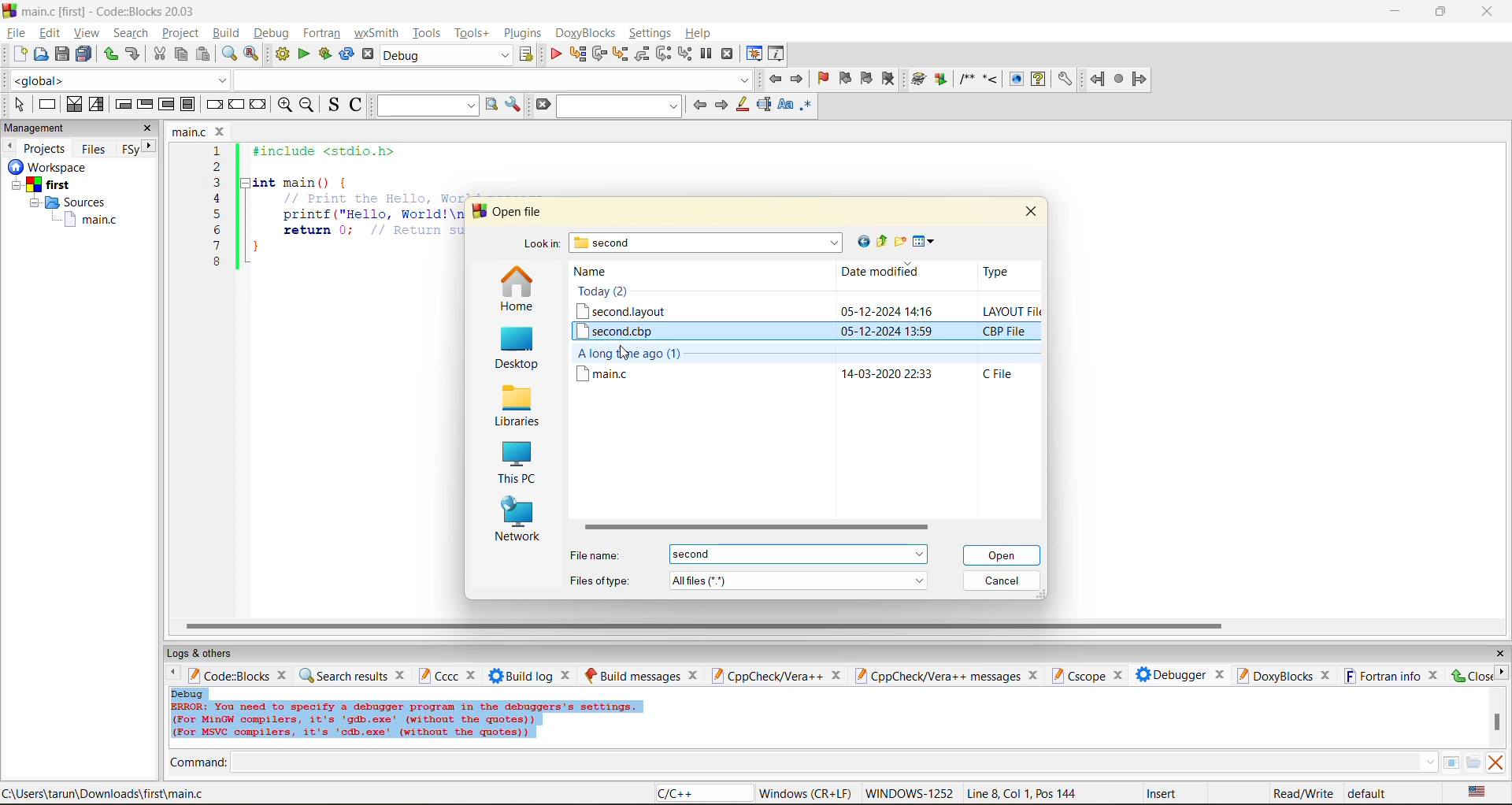 The image size is (1512, 805). Describe the element at coordinates (798, 555) in the screenshot. I see `menu` at that location.